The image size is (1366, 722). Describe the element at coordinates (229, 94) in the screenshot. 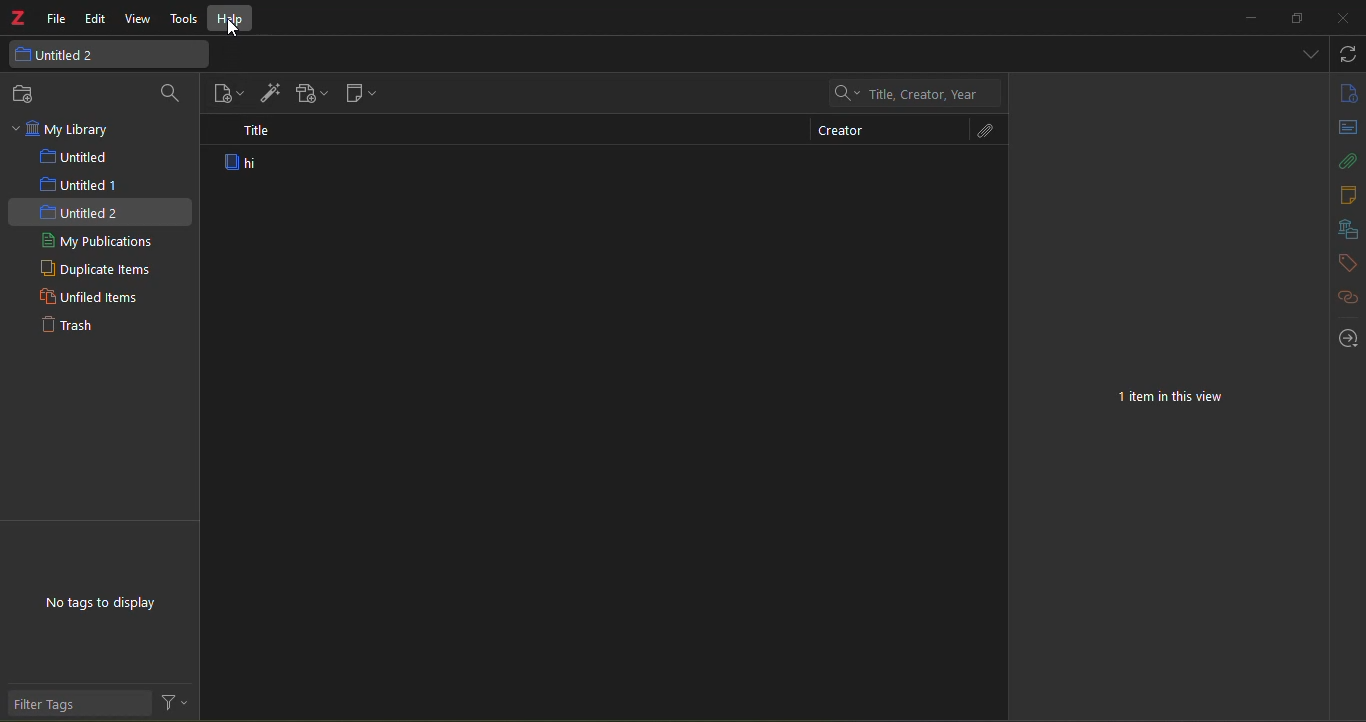

I see `new item` at that location.